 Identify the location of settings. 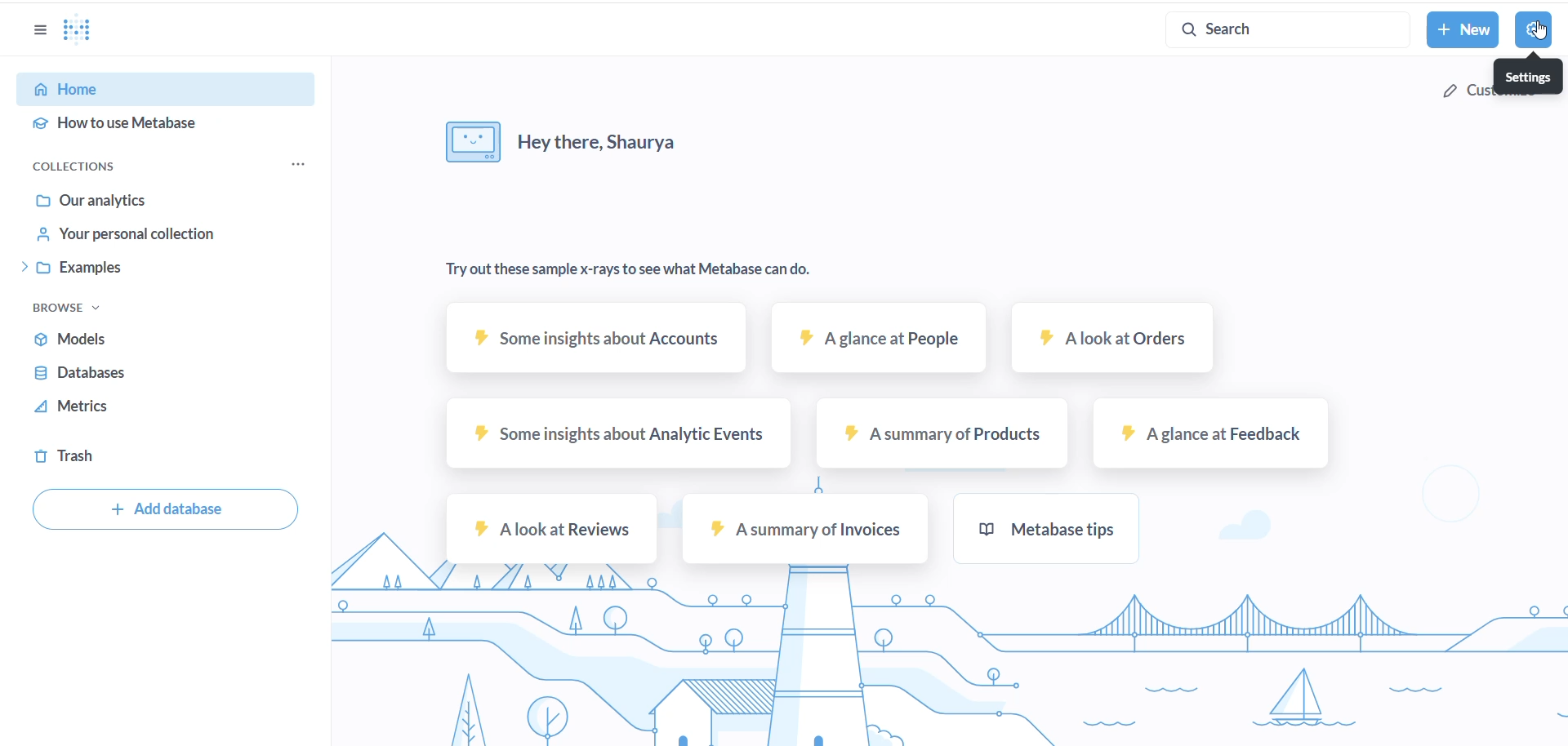
(1535, 32).